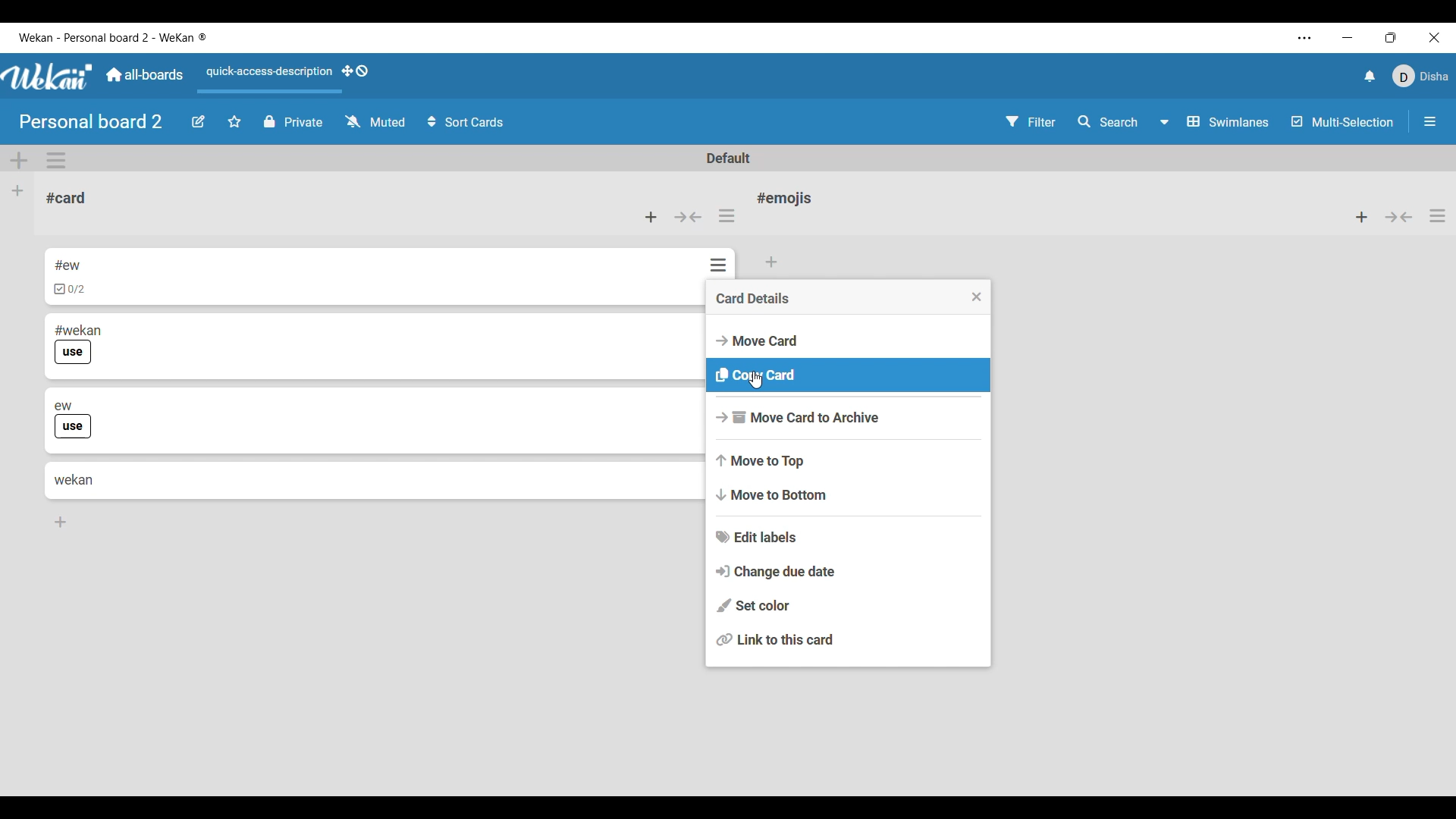 This screenshot has height=819, width=1456. What do you see at coordinates (784, 198) in the screenshot?
I see `List  name` at bounding box center [784, 198].